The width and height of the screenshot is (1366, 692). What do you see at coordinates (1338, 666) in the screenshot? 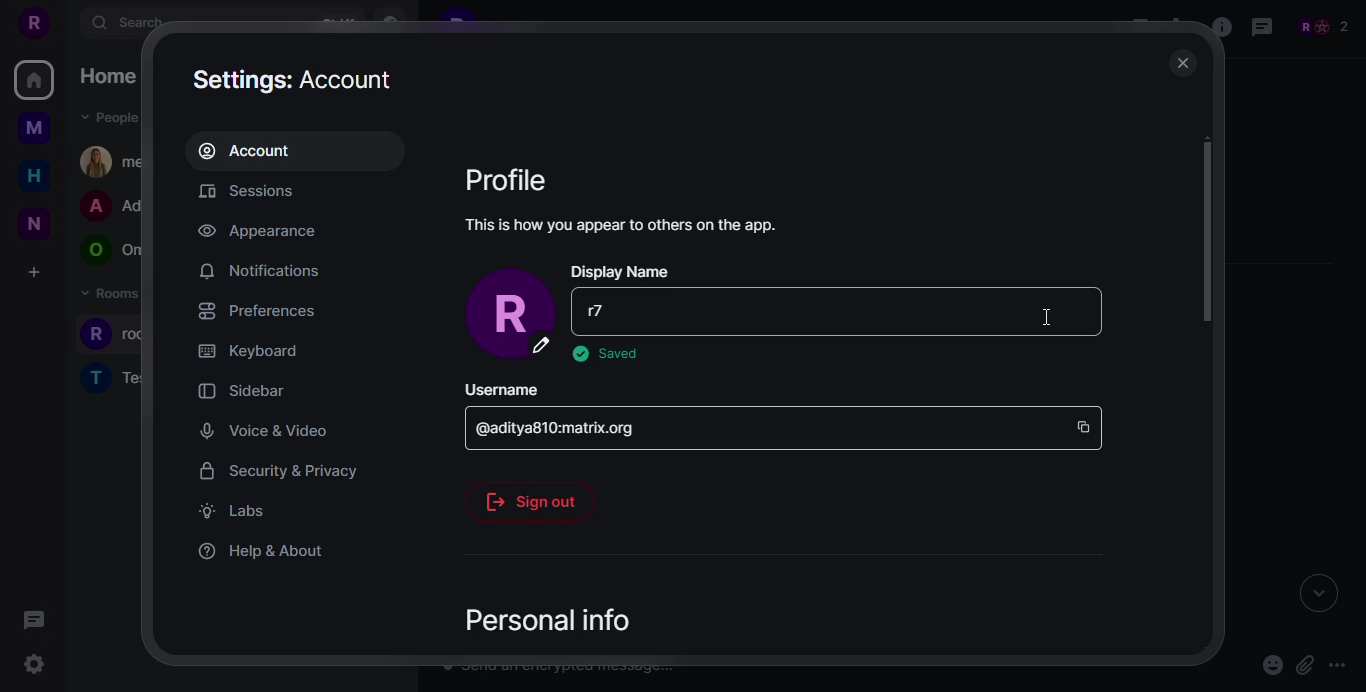
I see `more` at bounding box center [1338, 666].